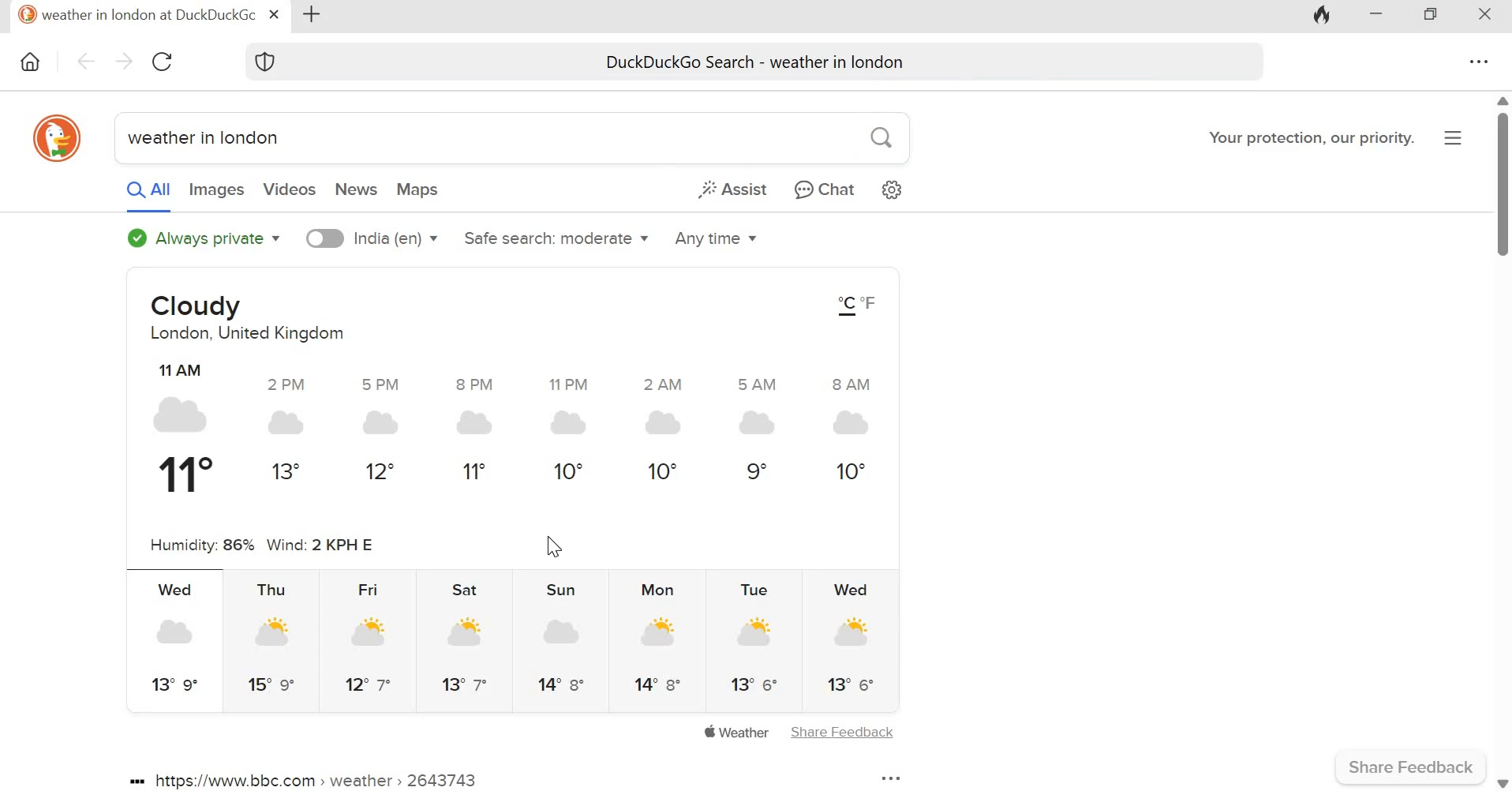 The height and width of the screenshot is (791, 1512). I want to click on 2 AM, so click(662, 384).